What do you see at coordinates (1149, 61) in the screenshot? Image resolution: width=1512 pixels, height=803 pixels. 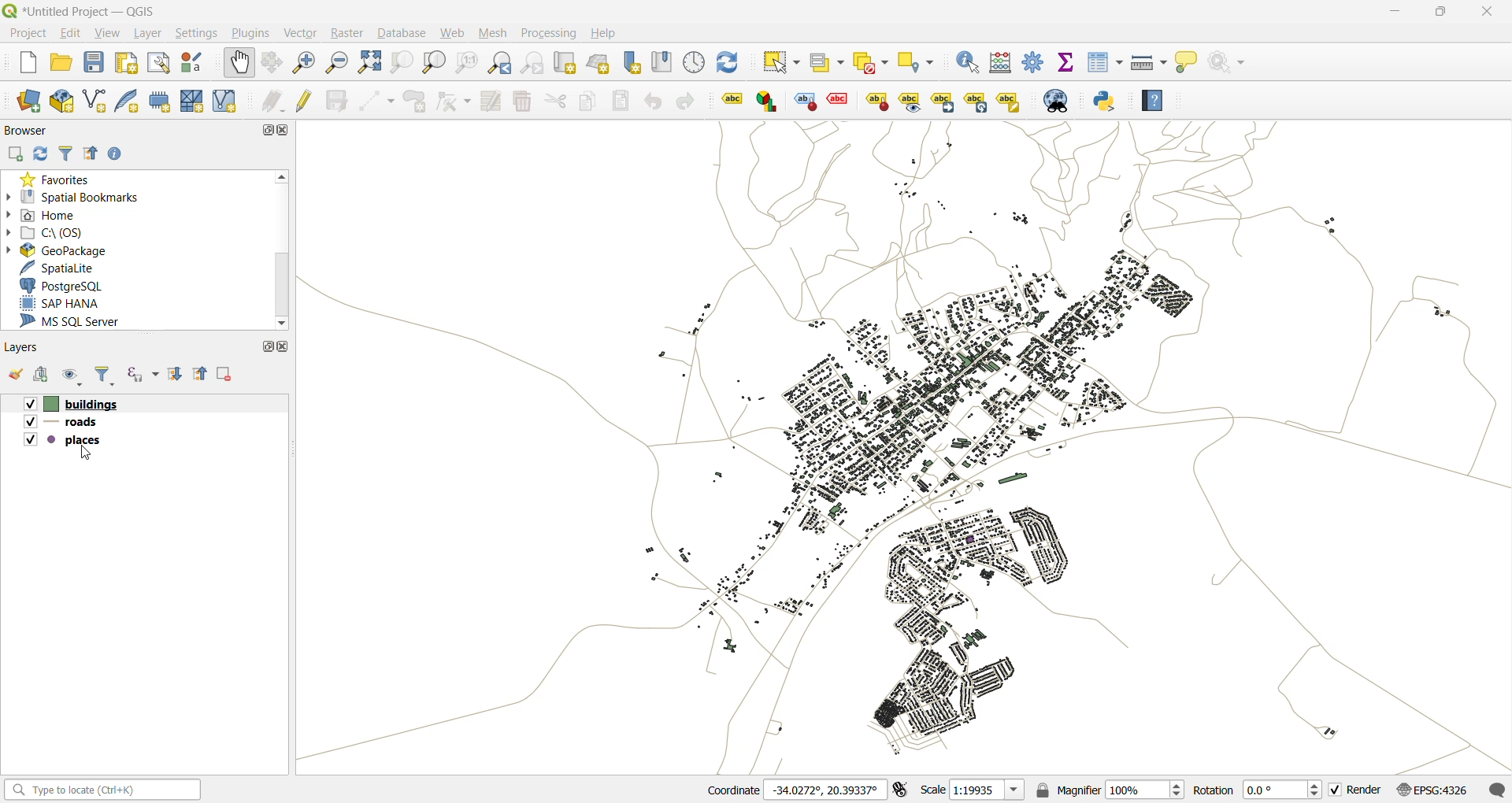 I see `measure line` at bounding box center [1149, 61].